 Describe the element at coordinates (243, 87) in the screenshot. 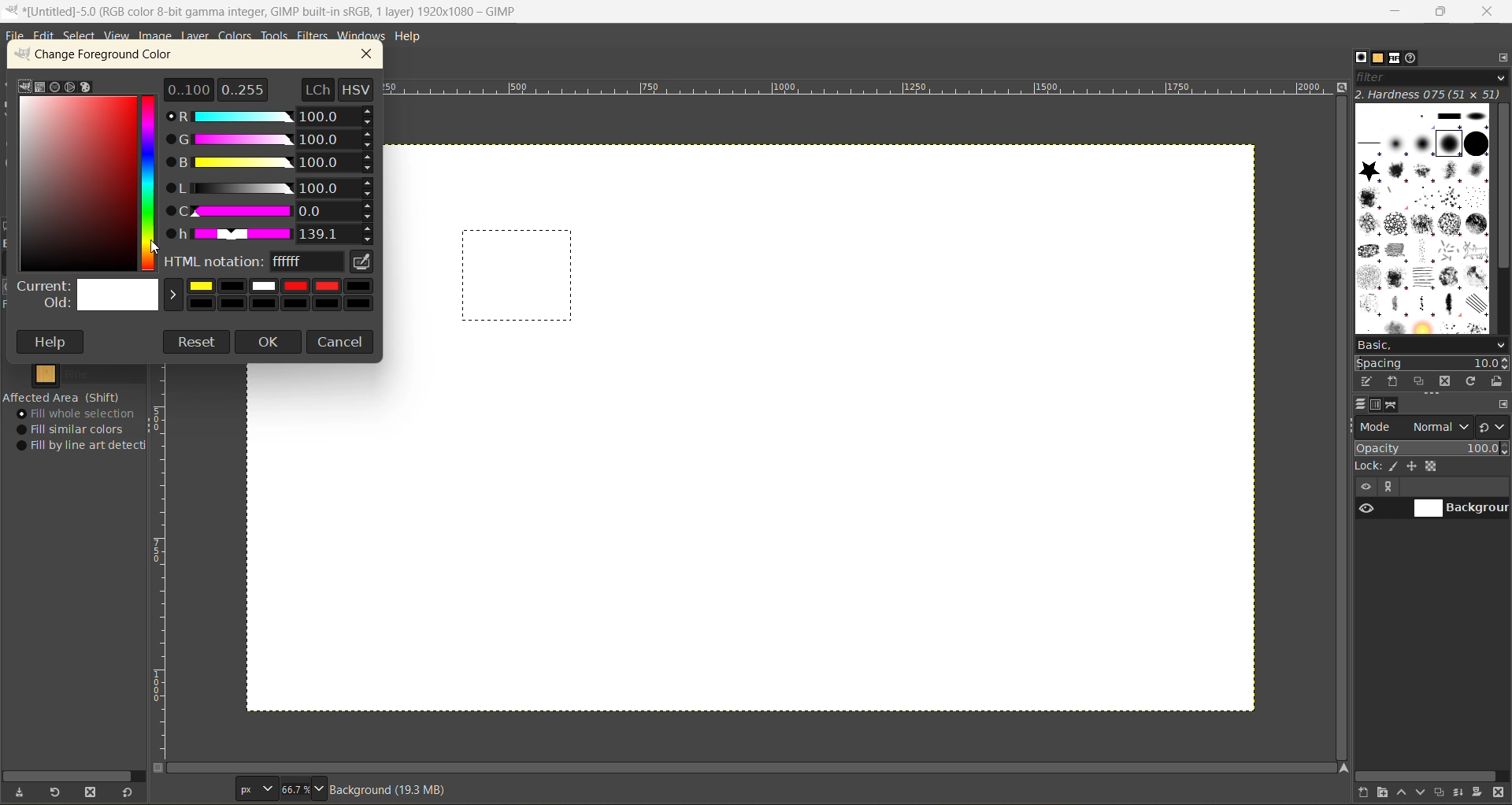

I see `0.255` at that location.